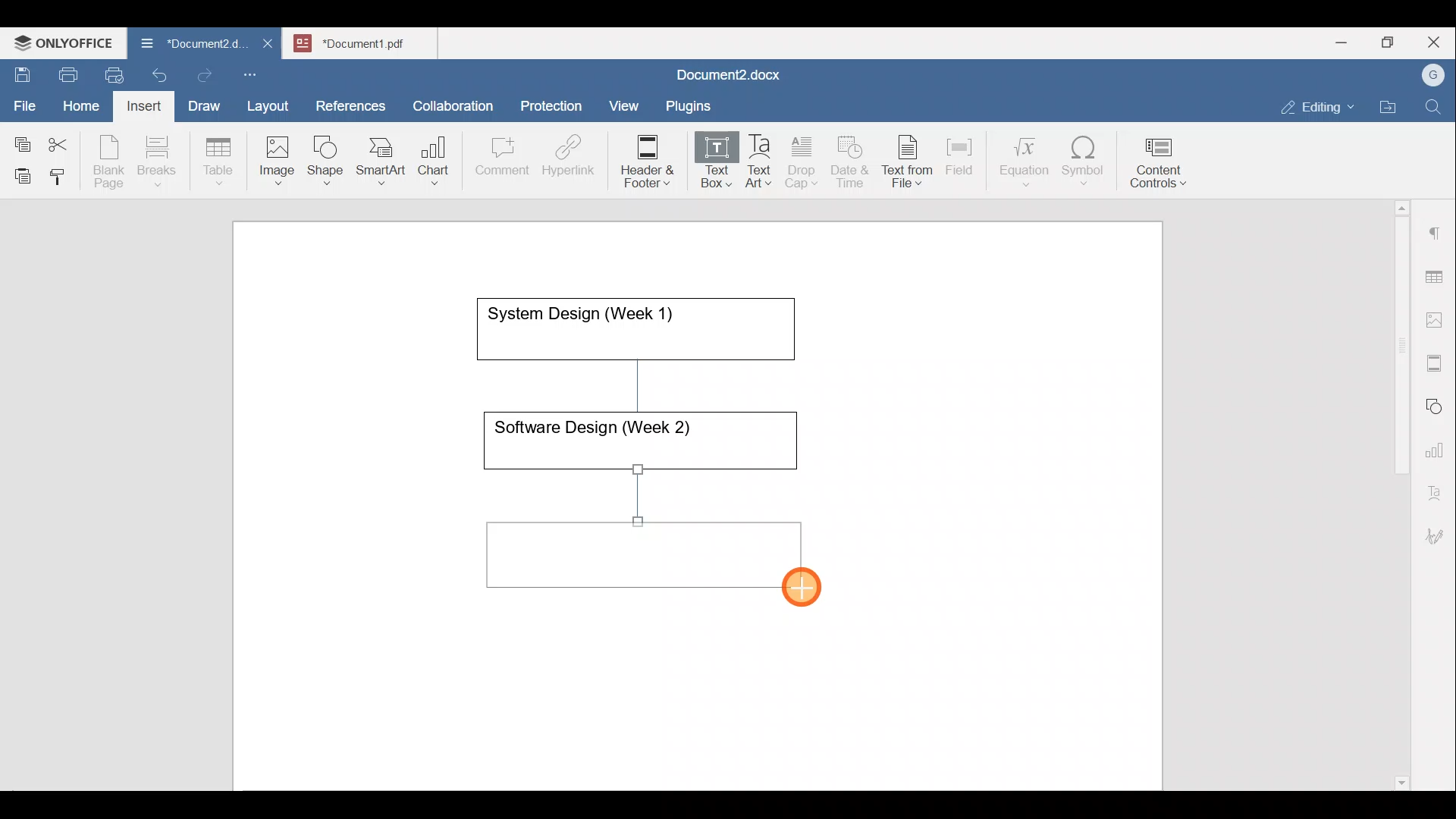 This screenshot has width=1456, height=819. What do you see at coordinates (725, 77) in the screenshot?
I see `Document name` at bounding box center [725, 77].